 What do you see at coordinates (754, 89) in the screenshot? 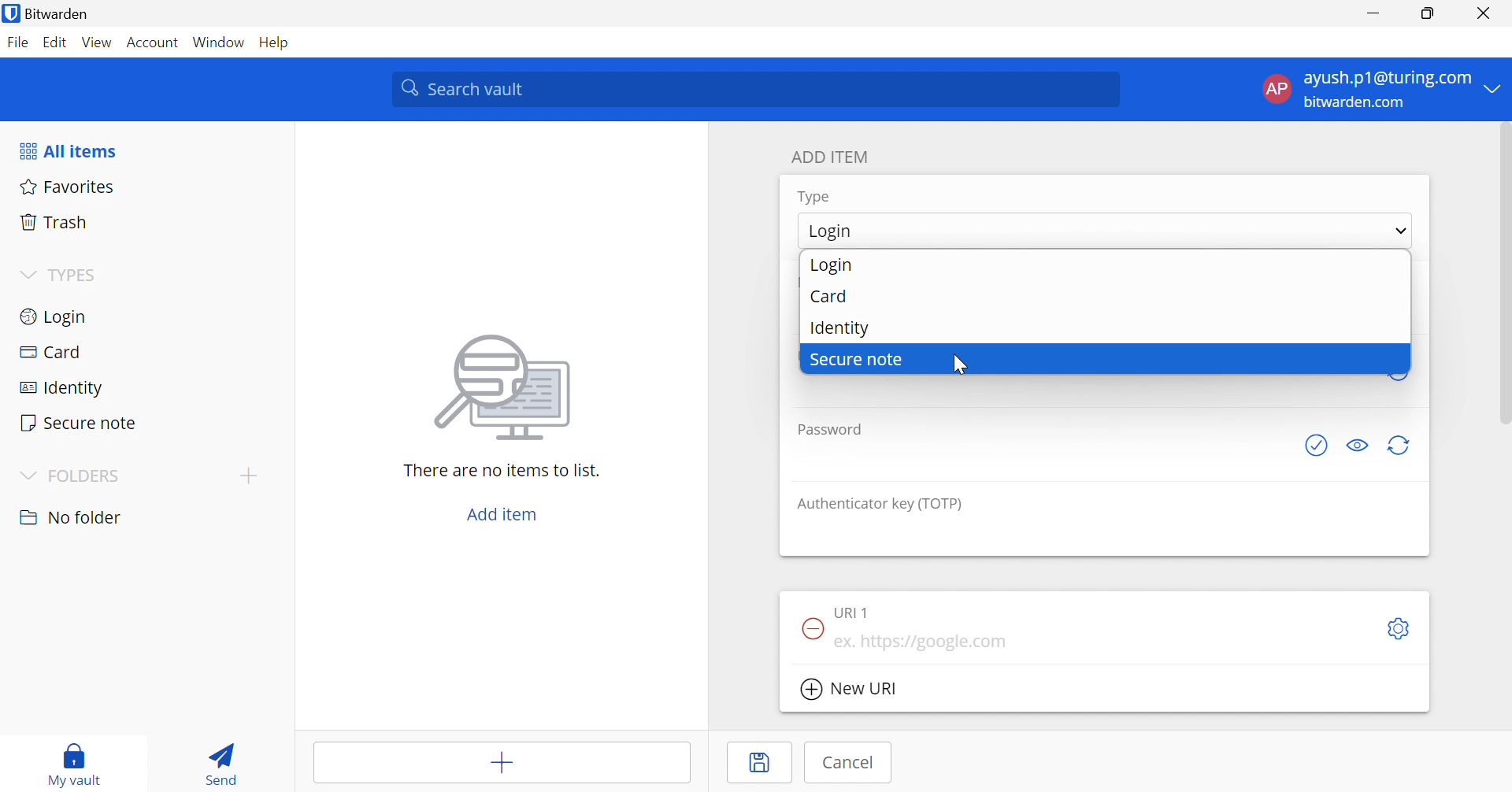
I see `Search vault` at bounding box center [754, 89].